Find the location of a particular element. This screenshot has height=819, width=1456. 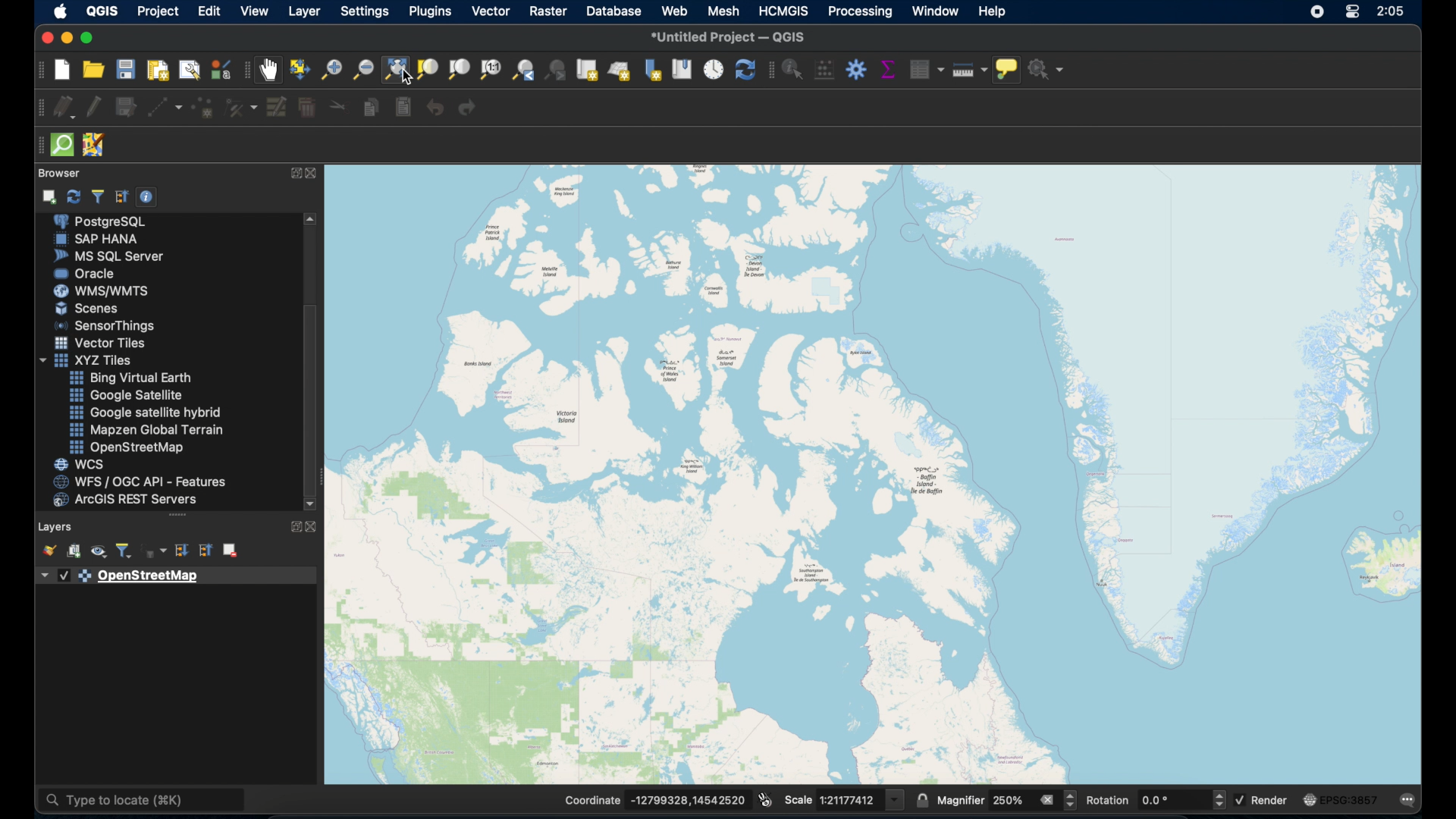

bing virtual earth is located at coordinates (129, 378).